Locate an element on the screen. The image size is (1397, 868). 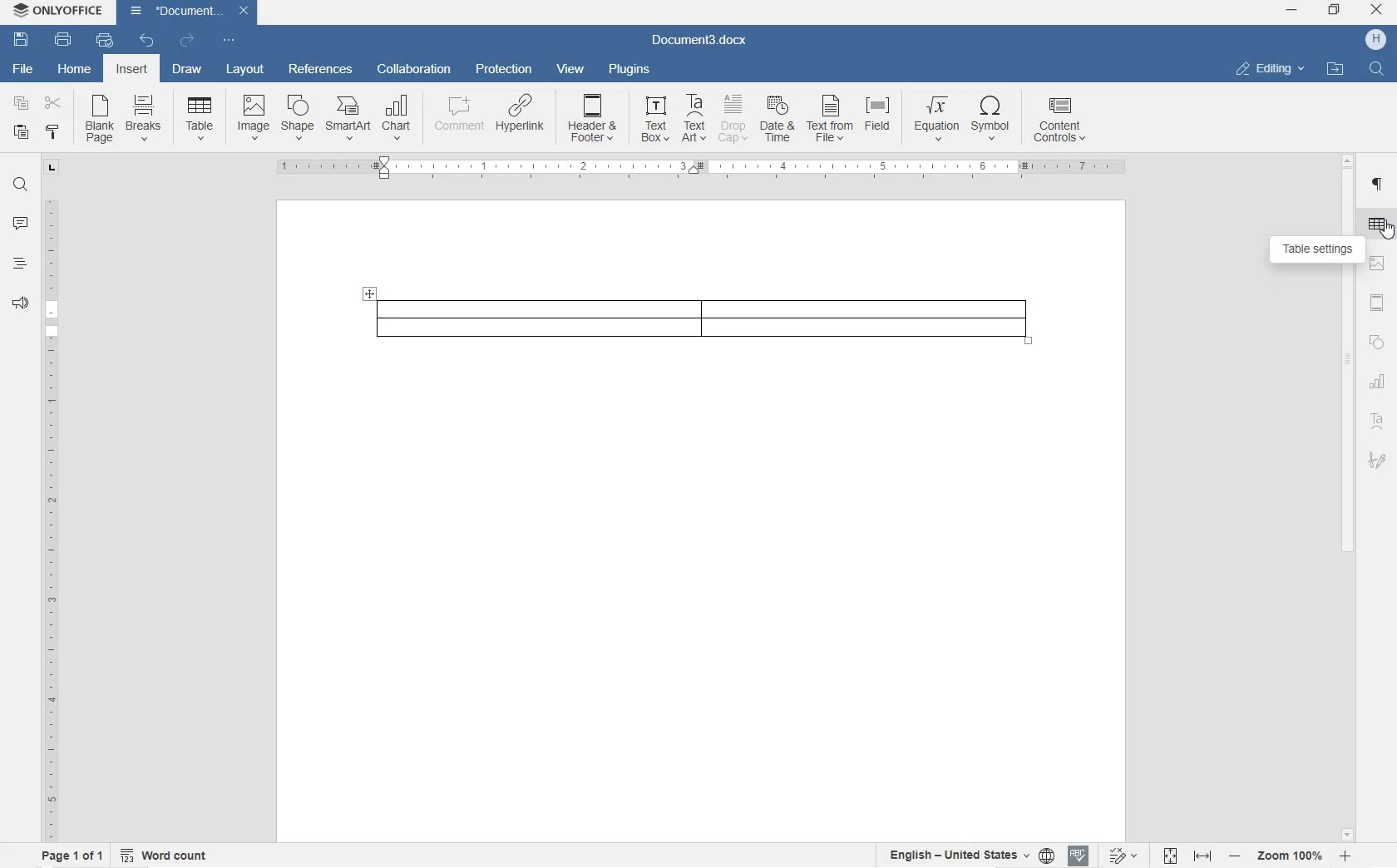
Field is located at coordinates (881, 119).